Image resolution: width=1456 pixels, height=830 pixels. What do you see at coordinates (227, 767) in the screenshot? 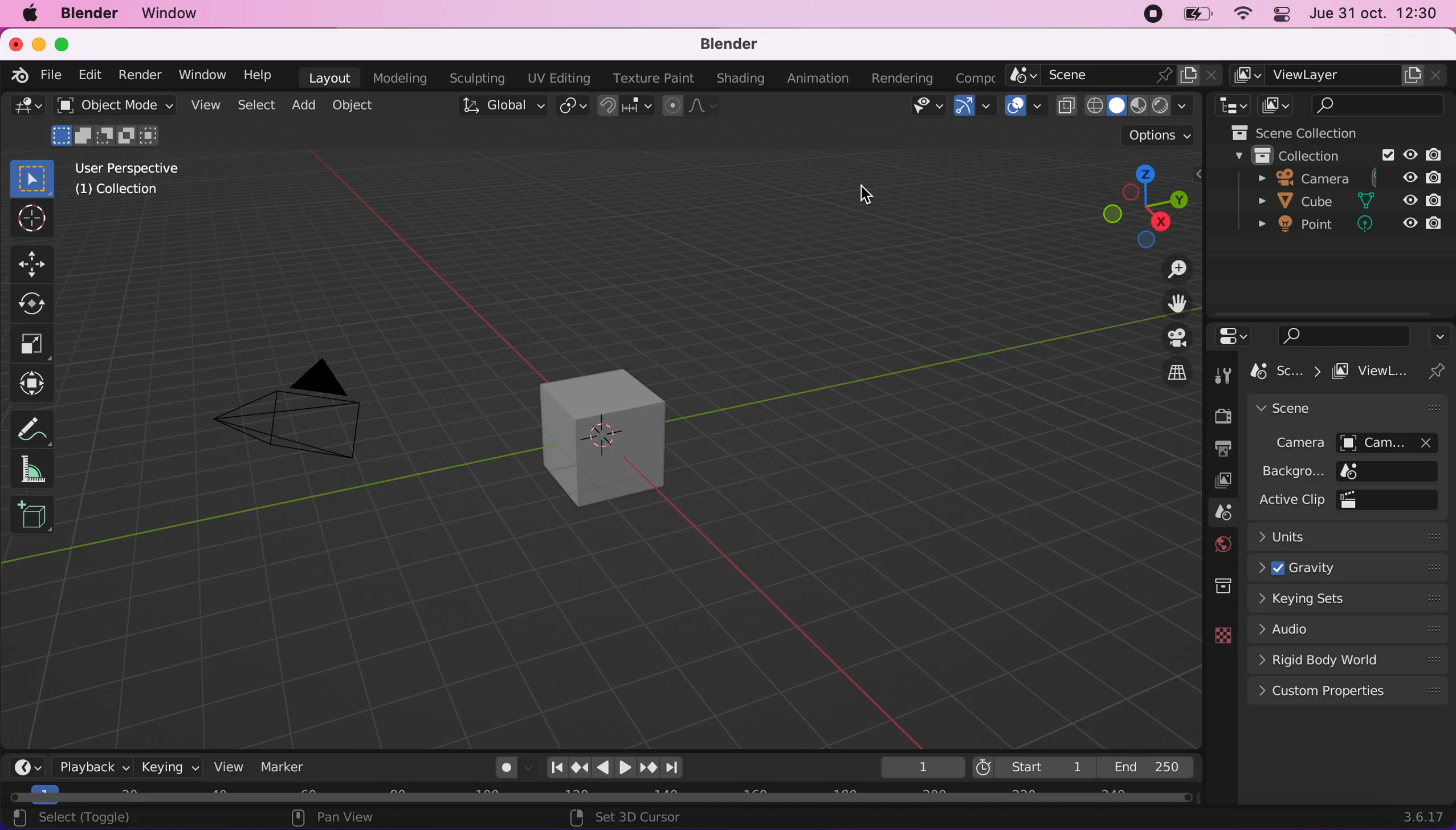
I see `view` at bounding box center [227, 767].